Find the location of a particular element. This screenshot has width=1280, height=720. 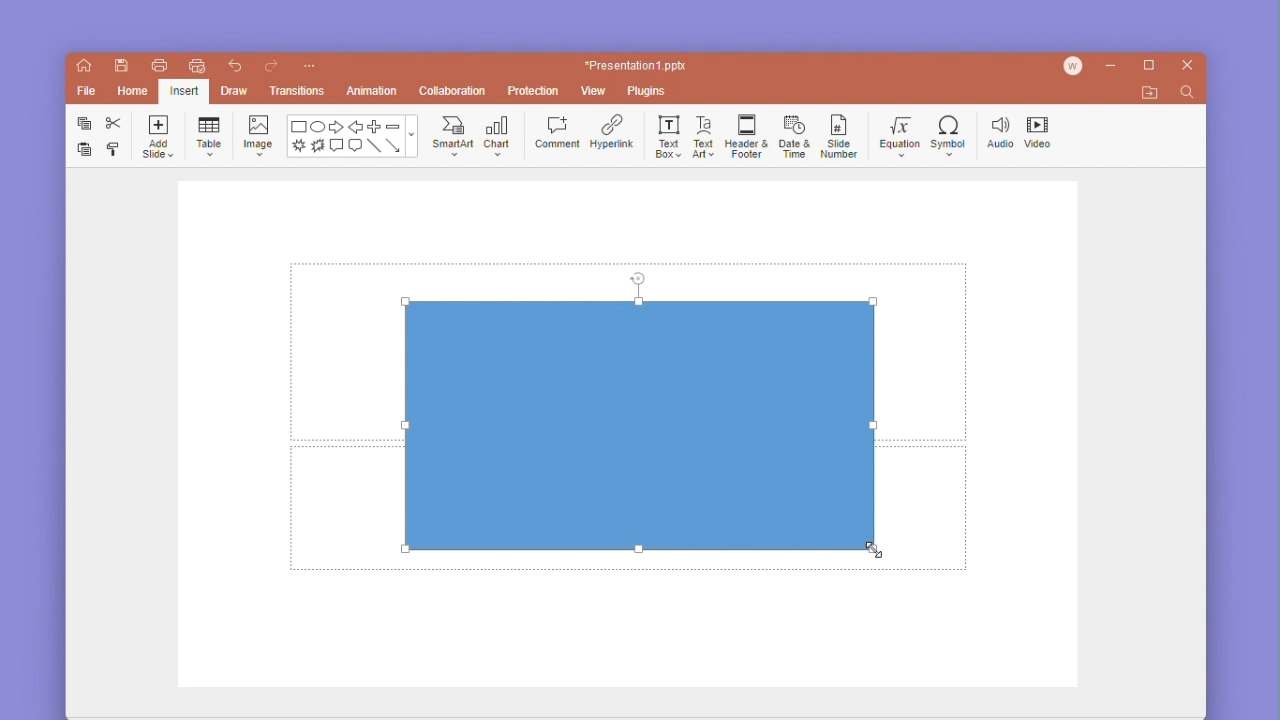

*Presentation1 ppt is located at coordinates (636, 65).